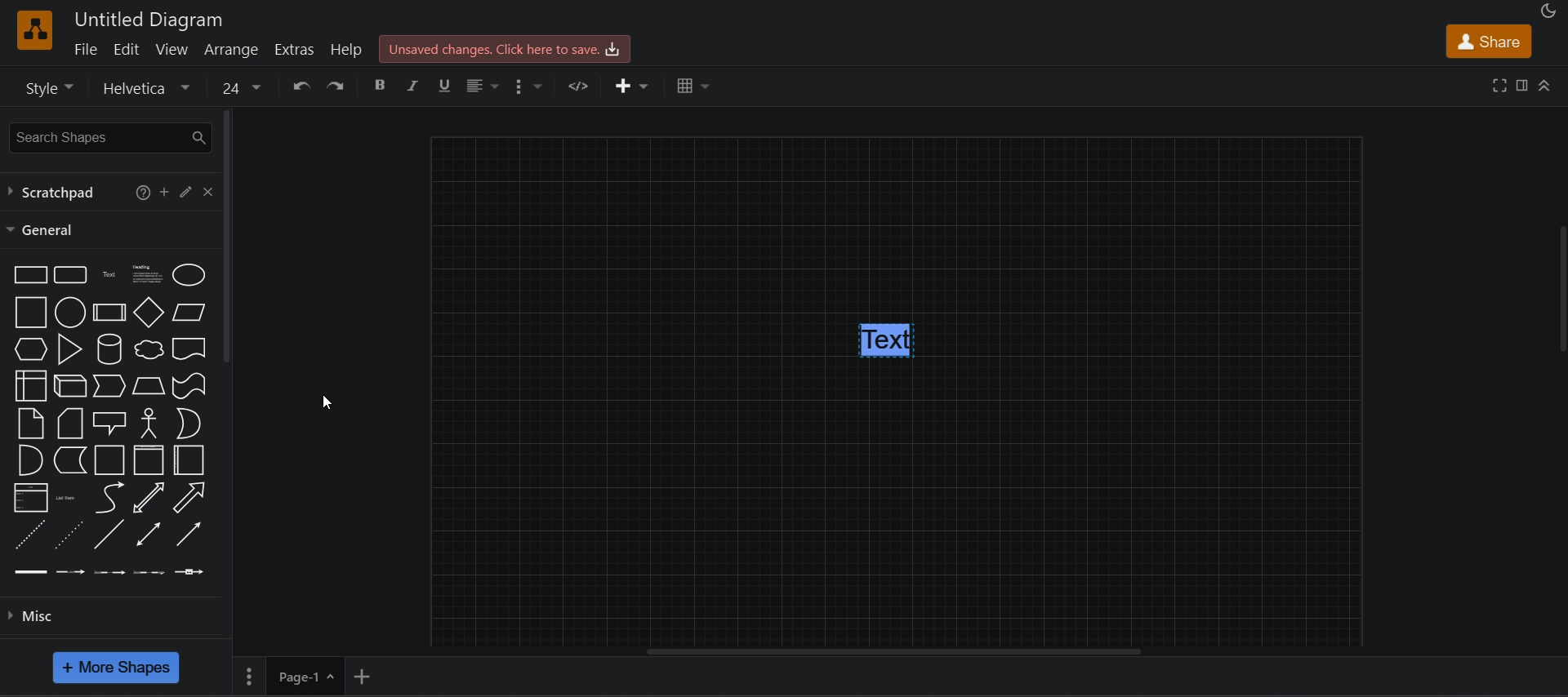  What do you see at coordinates (483, 87) in the screenshot?
I see `align` at bounding box center [483, 87].